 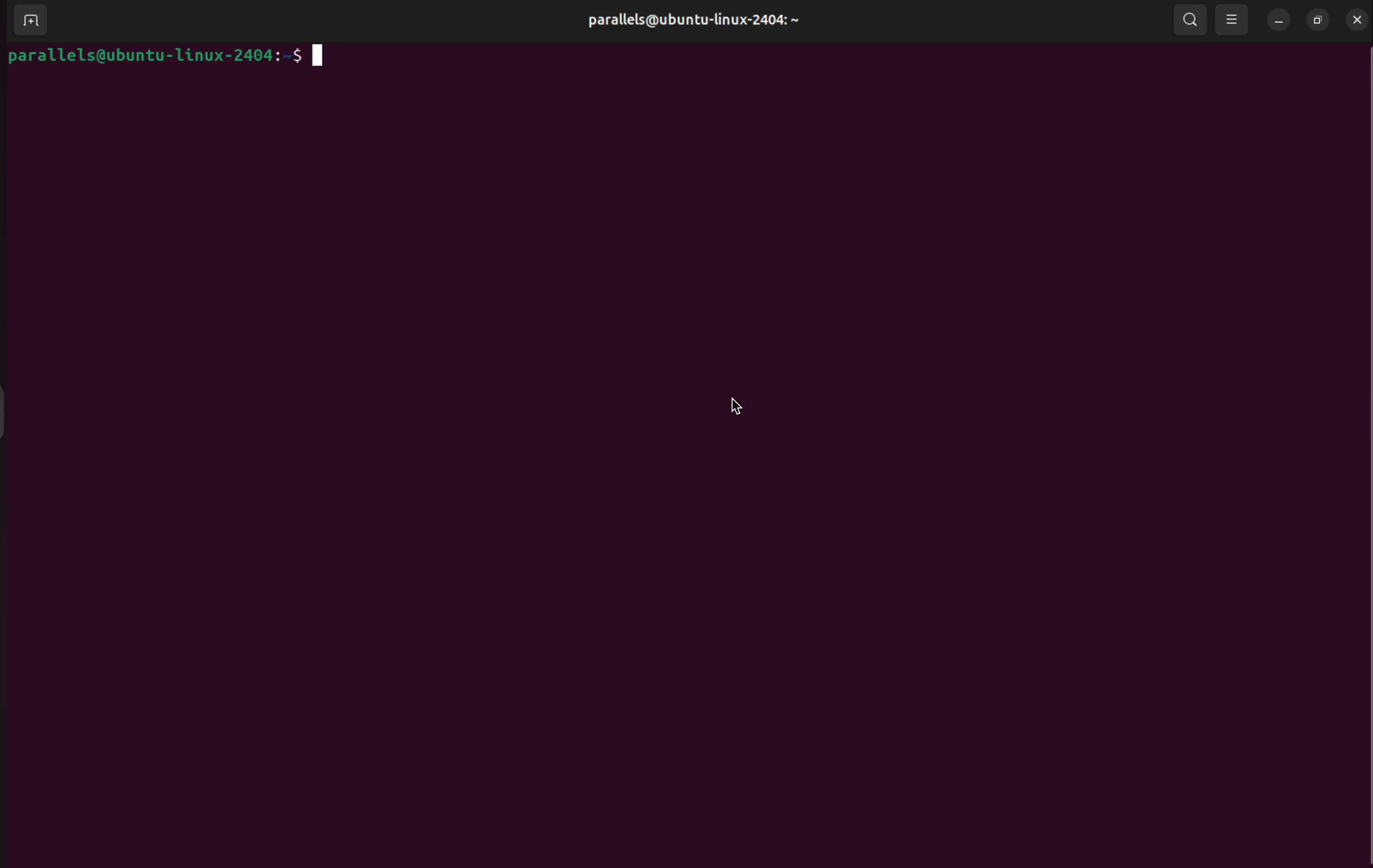 I want to click on view options, so click(x=1233, y=21).